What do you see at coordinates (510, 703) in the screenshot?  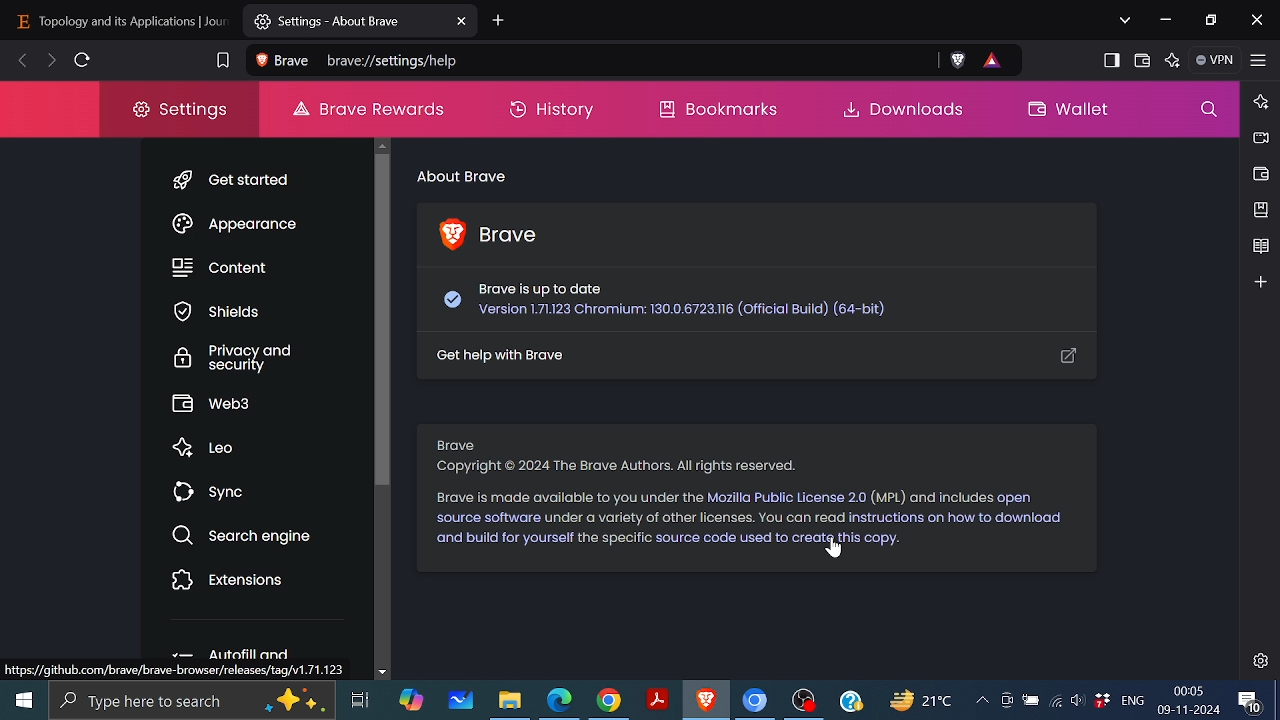 I see `Files` at bounding box center [510, 703].